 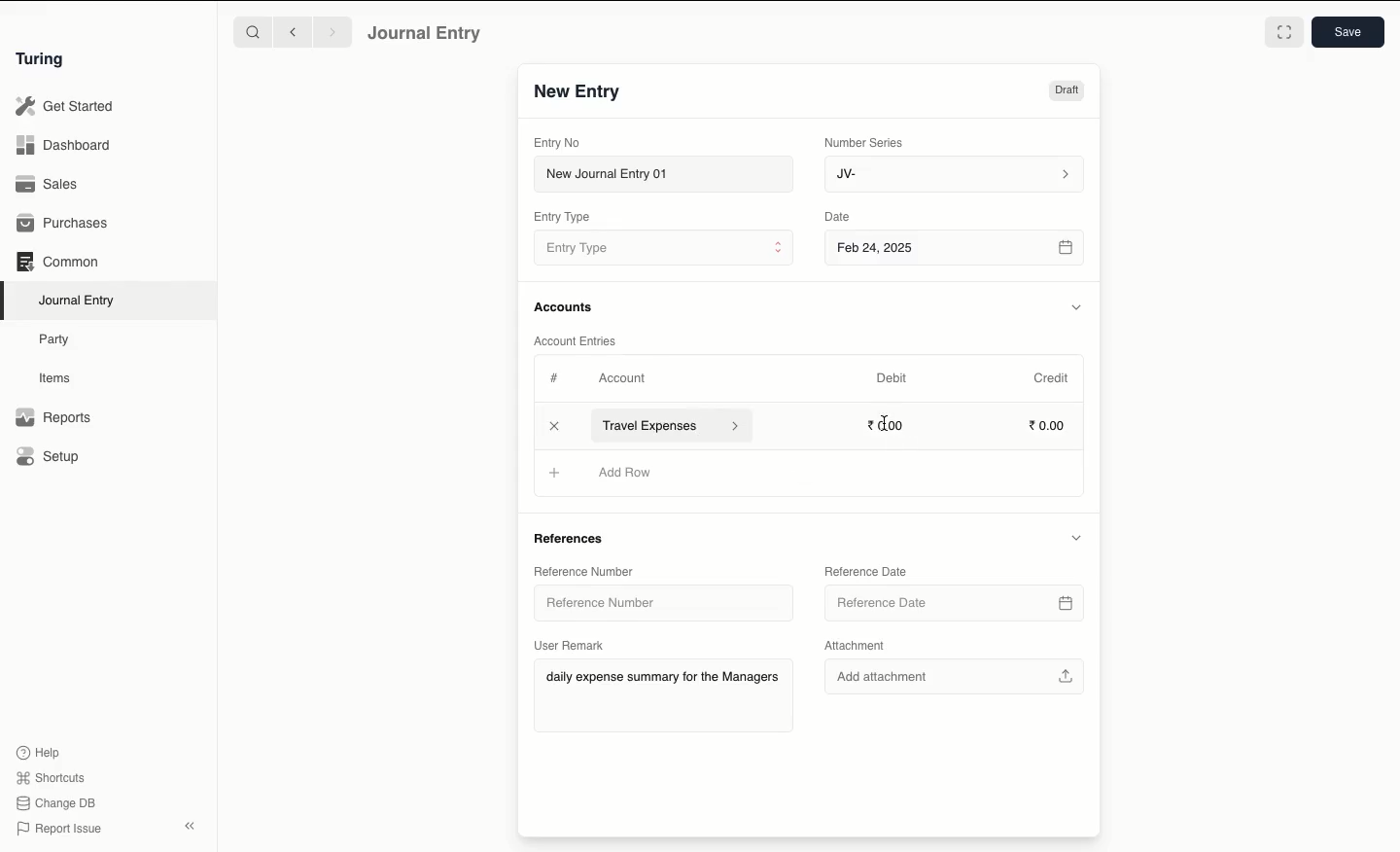 I want to click on Entry Type, so click(x=562, y=217).